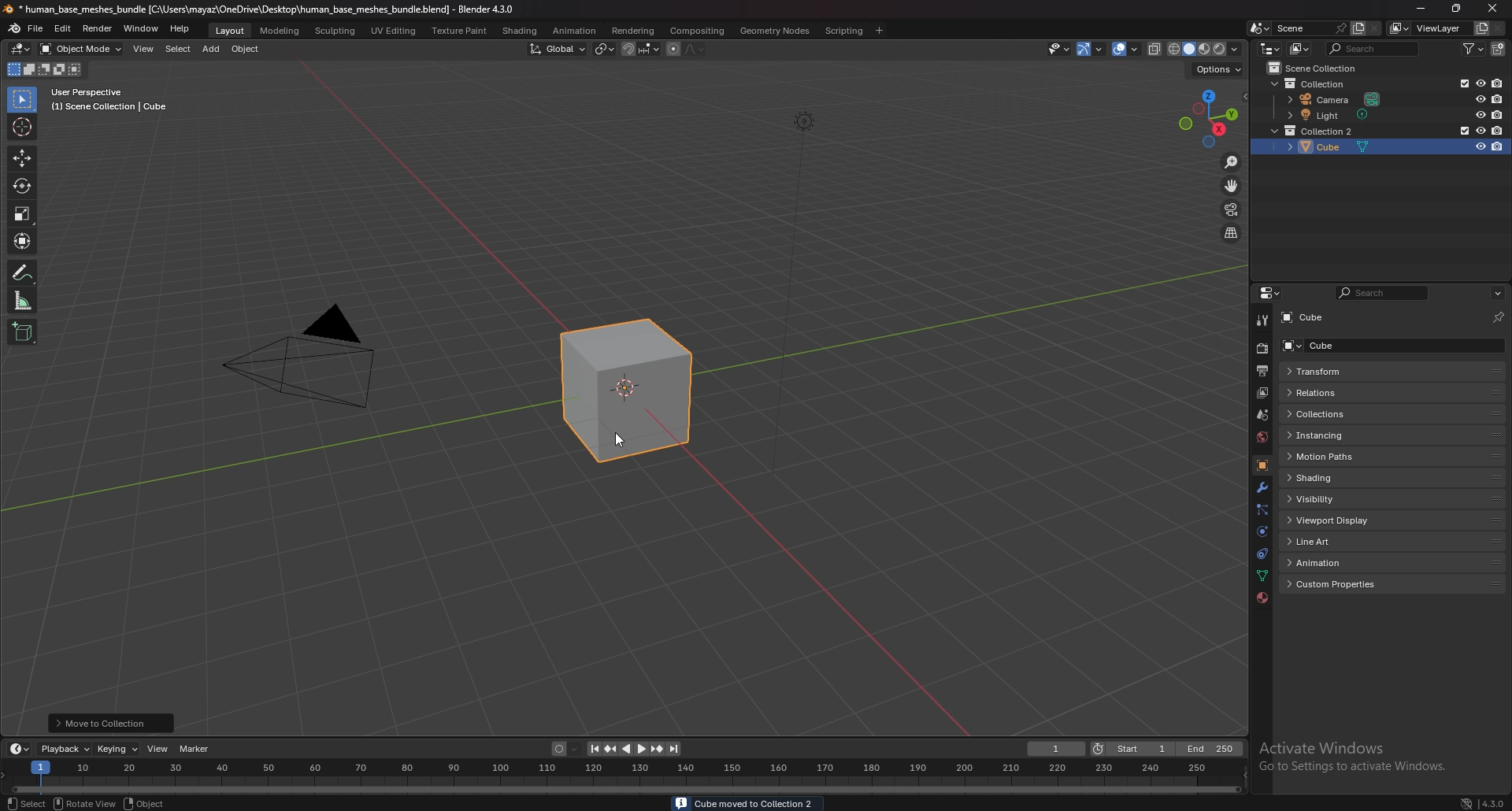 The height and width of the screenshot is (811, 1512). What do you see at coordinates (1335, 145) in the screenshot?
I see `cube` at bounding box center [1335, 145].